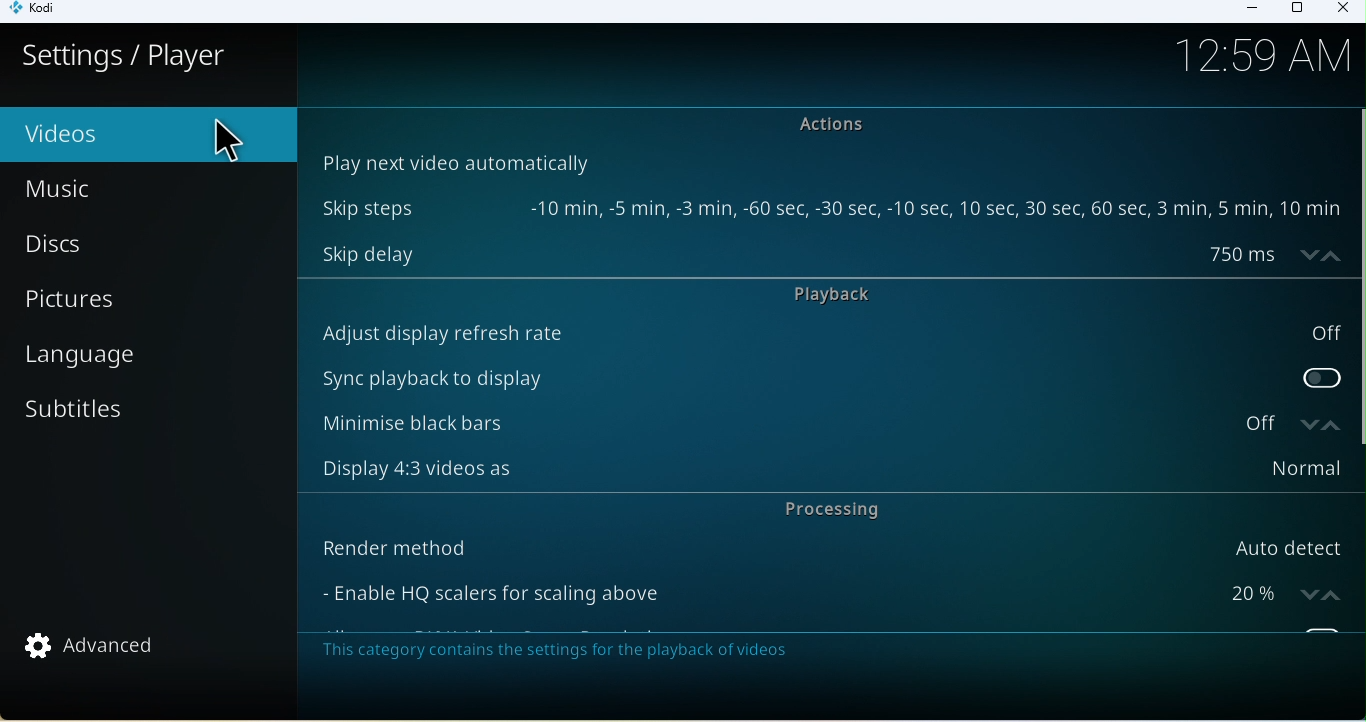  What do you see at coordinates (828, 333) in the screenshot?
I see `Auto display refresh rate` at bounding box center [828, 333].